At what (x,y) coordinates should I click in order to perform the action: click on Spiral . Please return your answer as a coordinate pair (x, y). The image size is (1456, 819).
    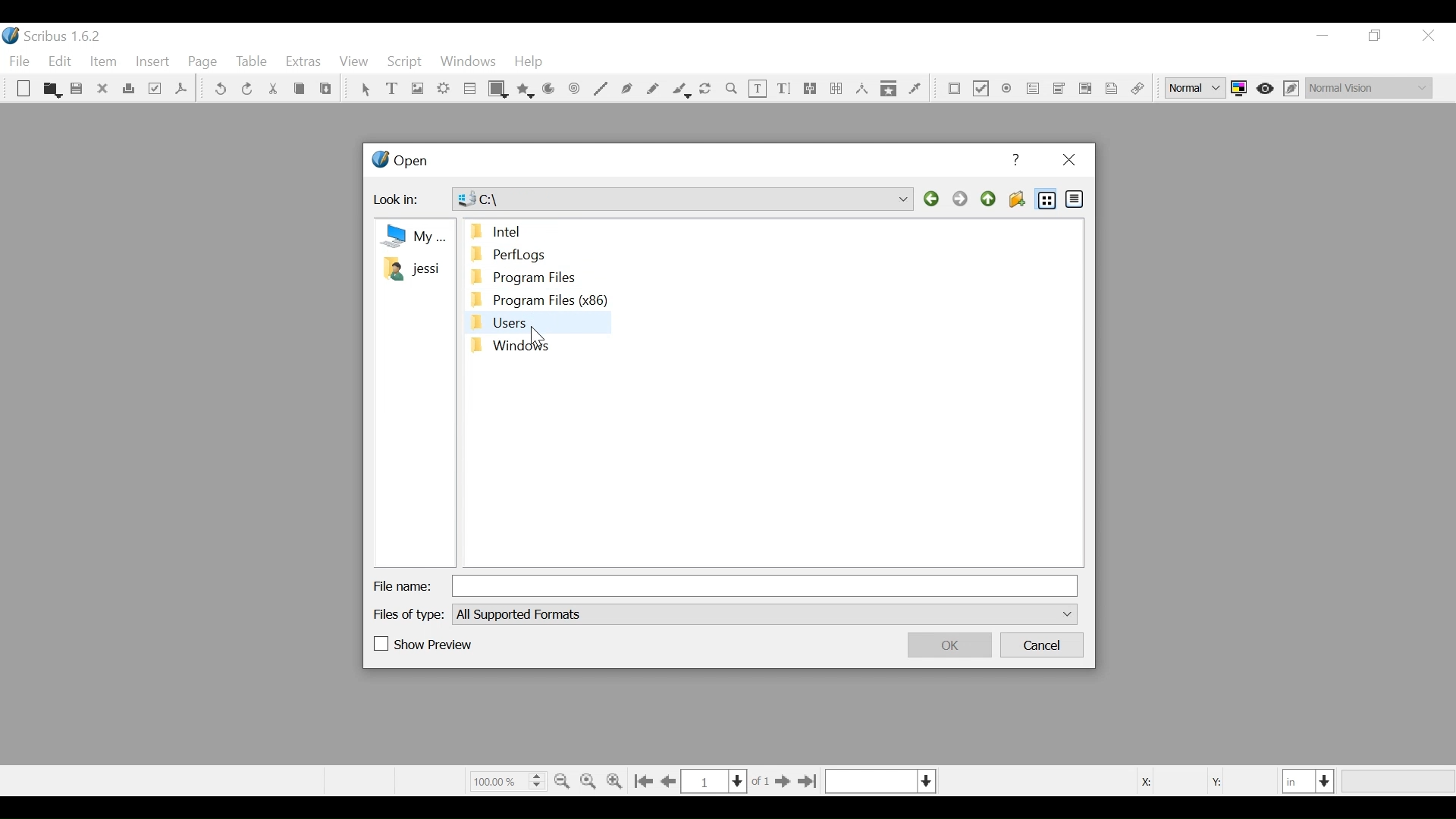
    Looking at the image, I should click on (573, 90).